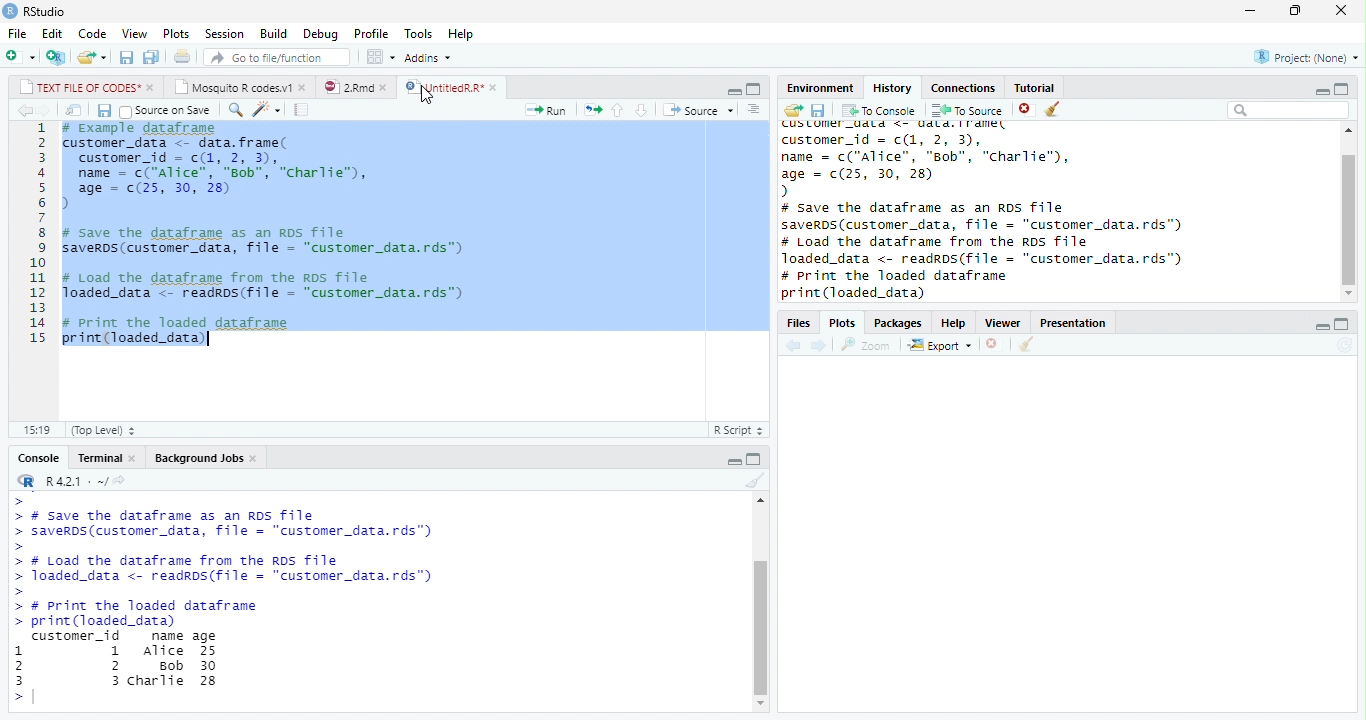 The height and width of the screenshot is (720, 1366). Describe the element at coordinates (198, 458) in the screenshot. I see `Background Jobs` at that location.